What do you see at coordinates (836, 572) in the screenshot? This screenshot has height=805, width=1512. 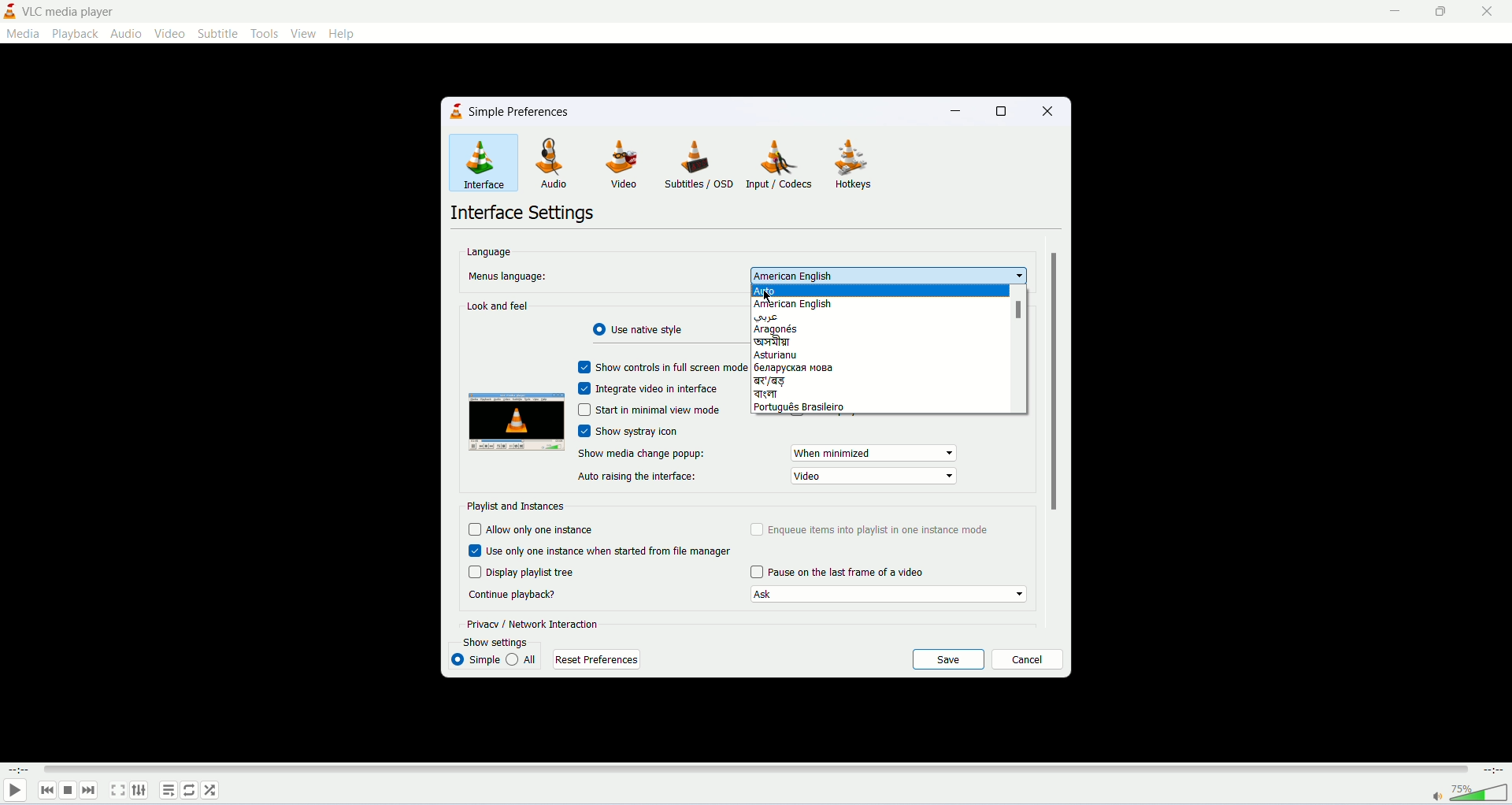 I see `pause on last frame of a video` at bounding box center [836, 572].